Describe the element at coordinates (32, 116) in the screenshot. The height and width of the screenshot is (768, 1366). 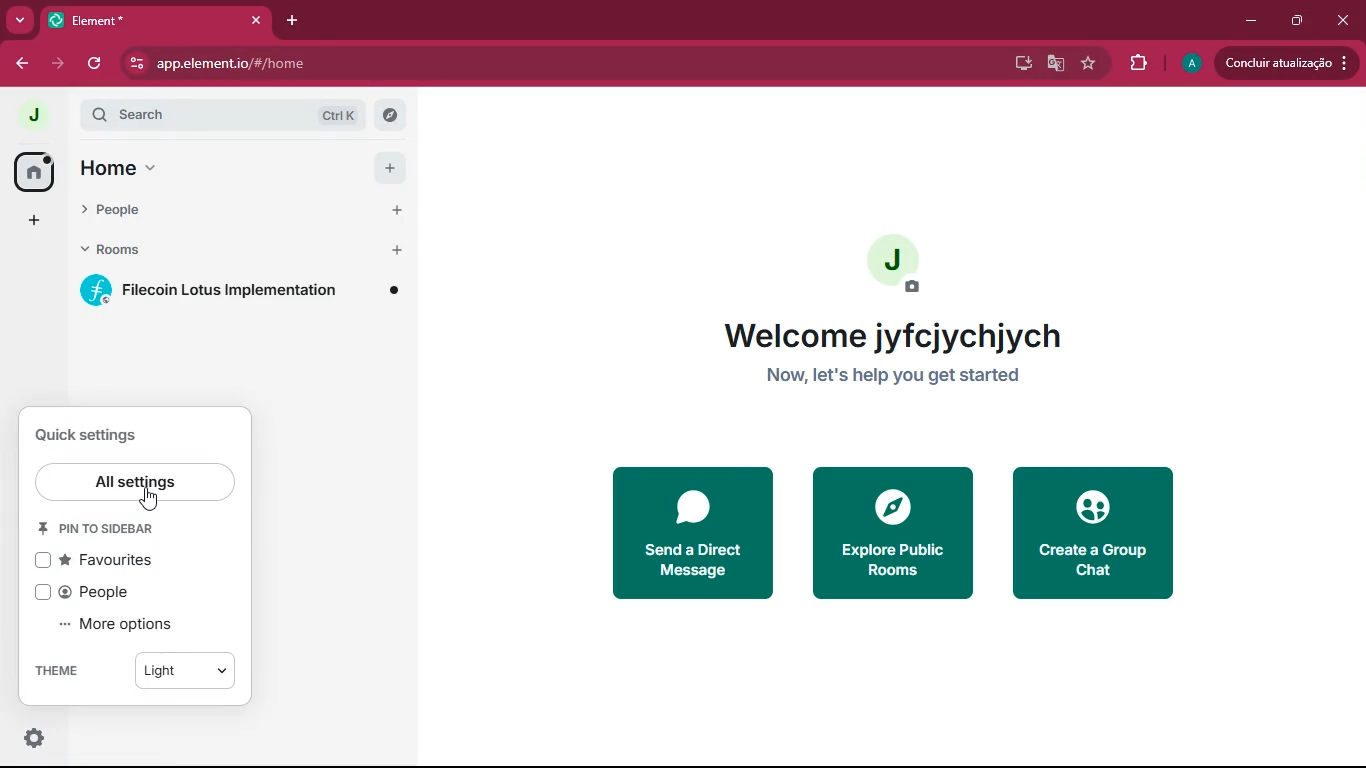
I see `j` at that location.